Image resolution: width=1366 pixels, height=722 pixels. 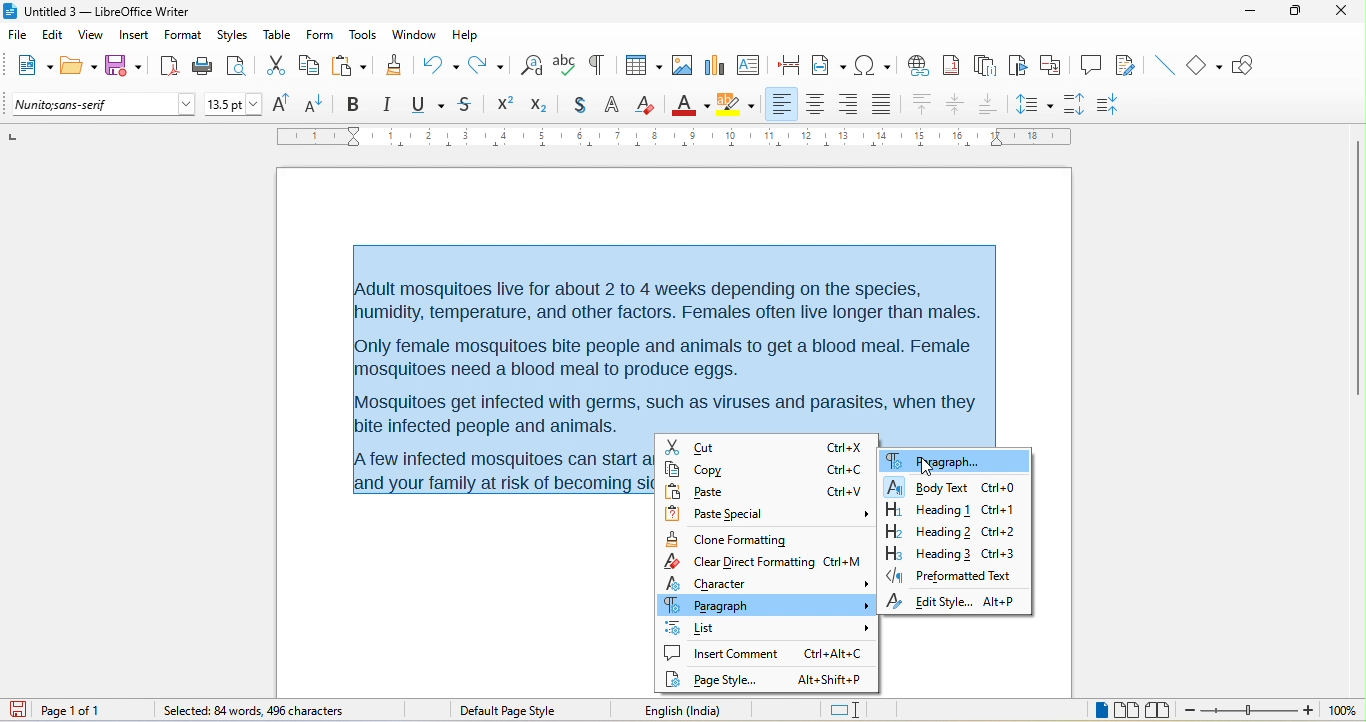 I want to click on subscript, so click(x=544, y=103).